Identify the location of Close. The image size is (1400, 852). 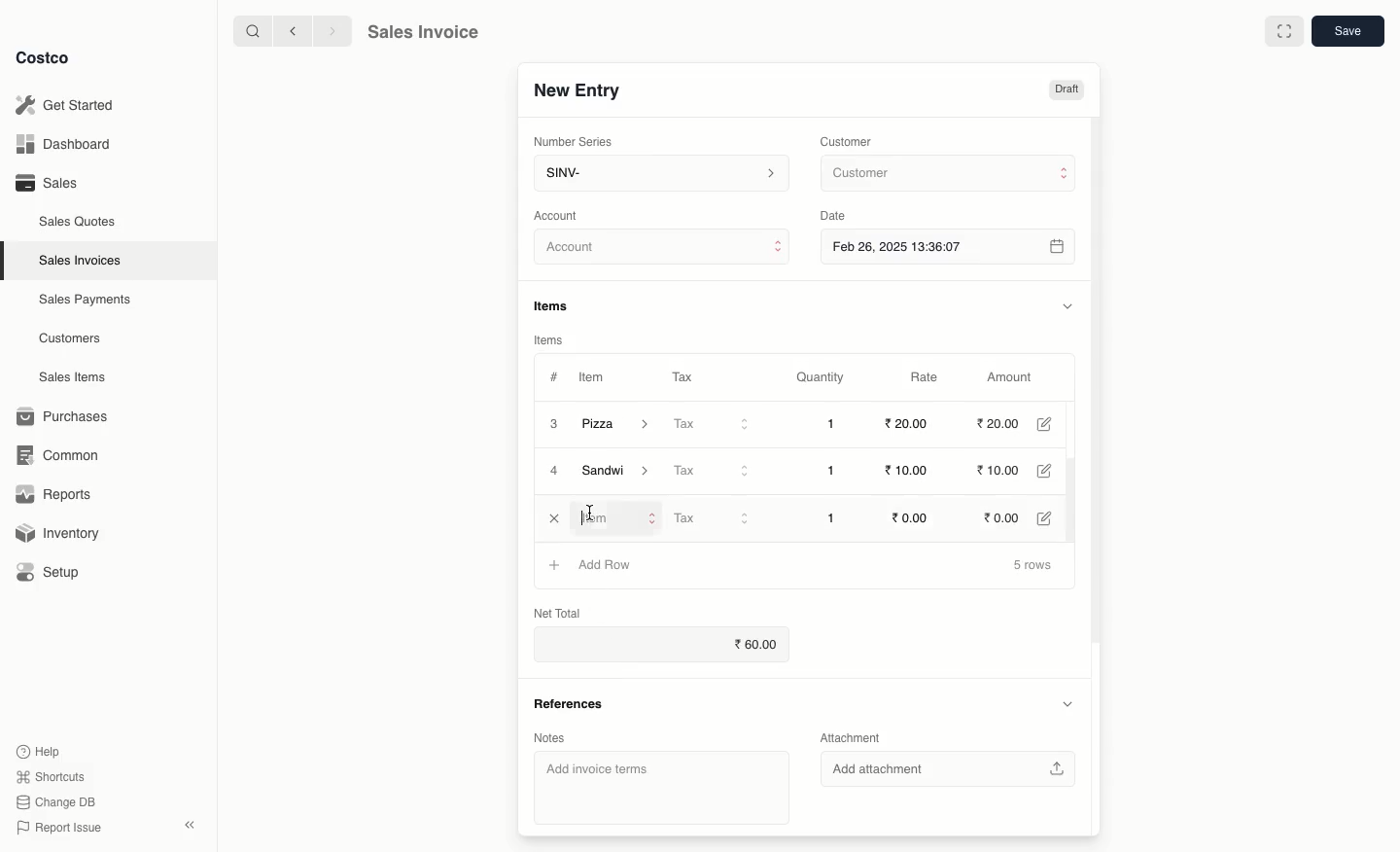
(554, 518).